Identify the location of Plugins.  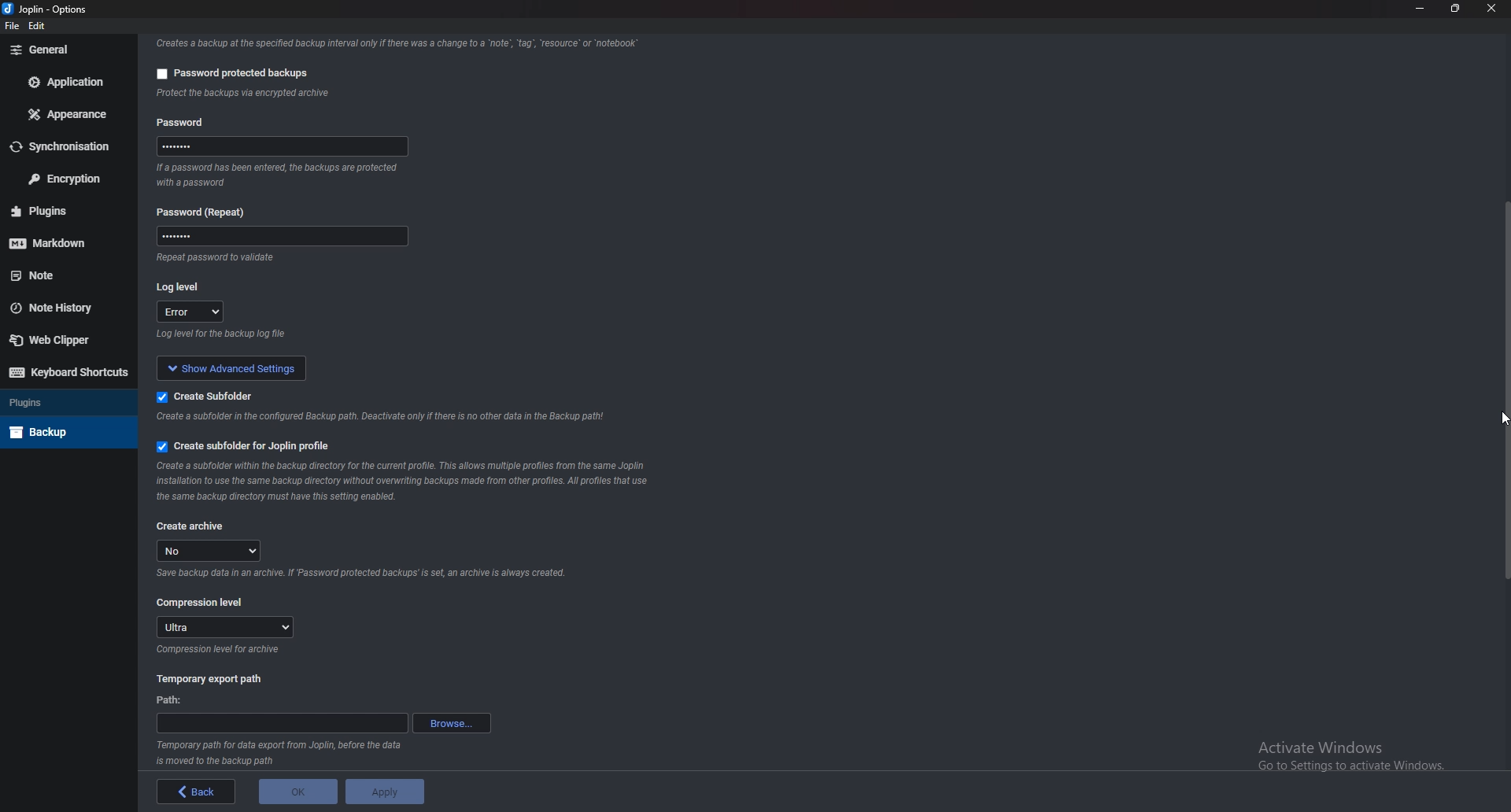
(65, 403).